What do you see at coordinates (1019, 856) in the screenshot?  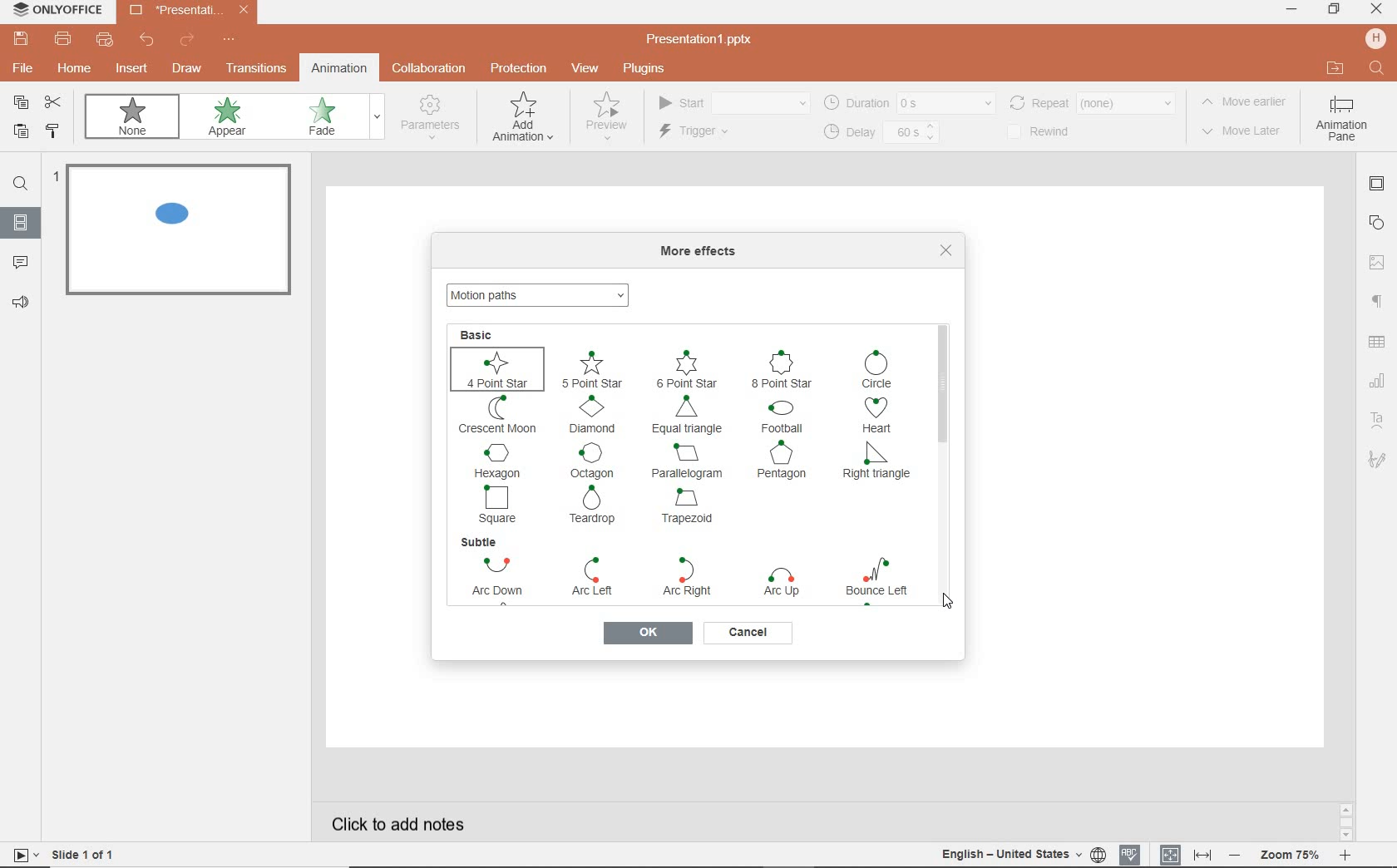 I see `text language` at bounding box center [1019, 856].